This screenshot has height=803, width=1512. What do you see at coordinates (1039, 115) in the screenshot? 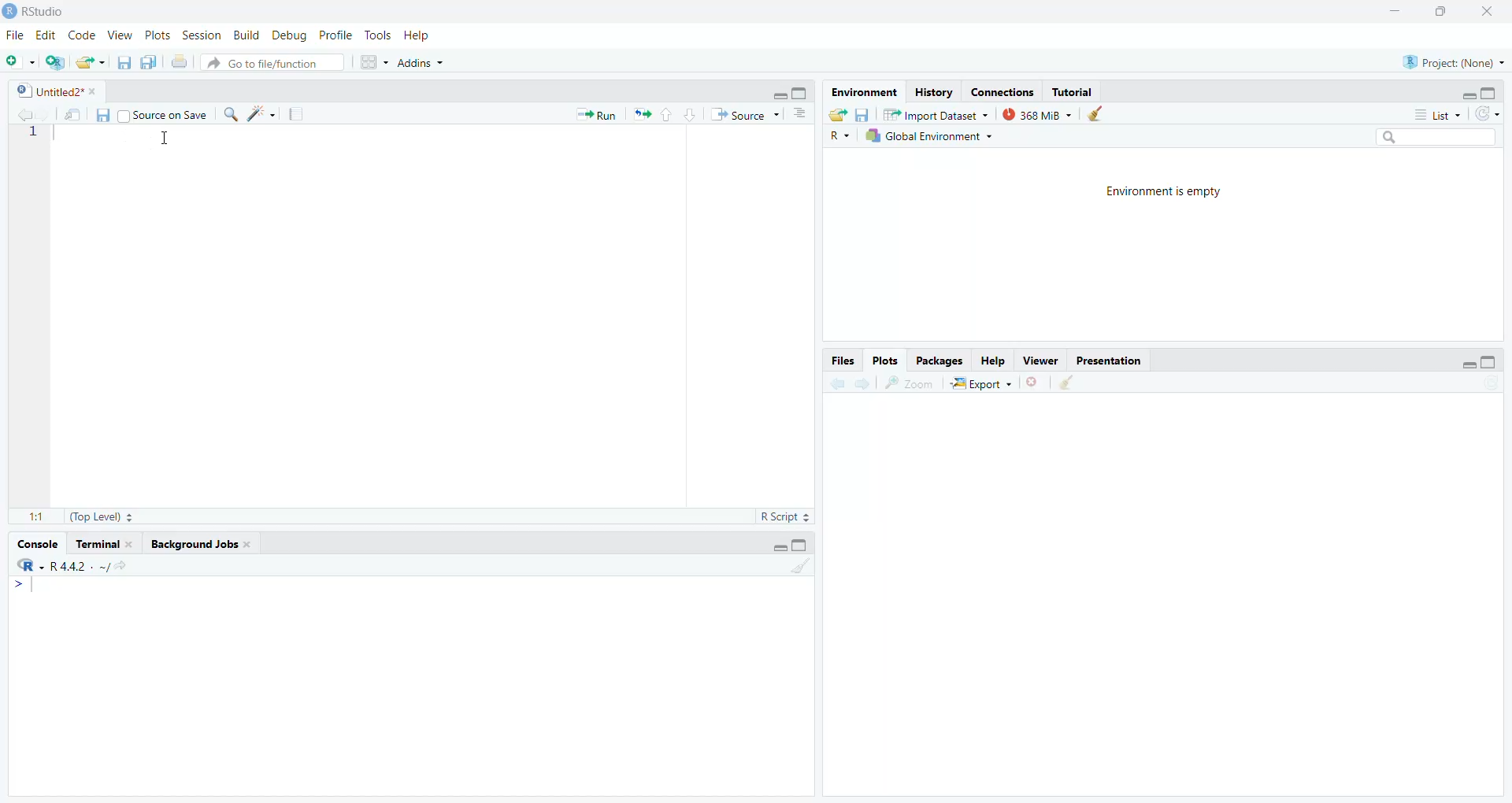
I see `© 363 MmiB +` at bounding box center [1039, 115].